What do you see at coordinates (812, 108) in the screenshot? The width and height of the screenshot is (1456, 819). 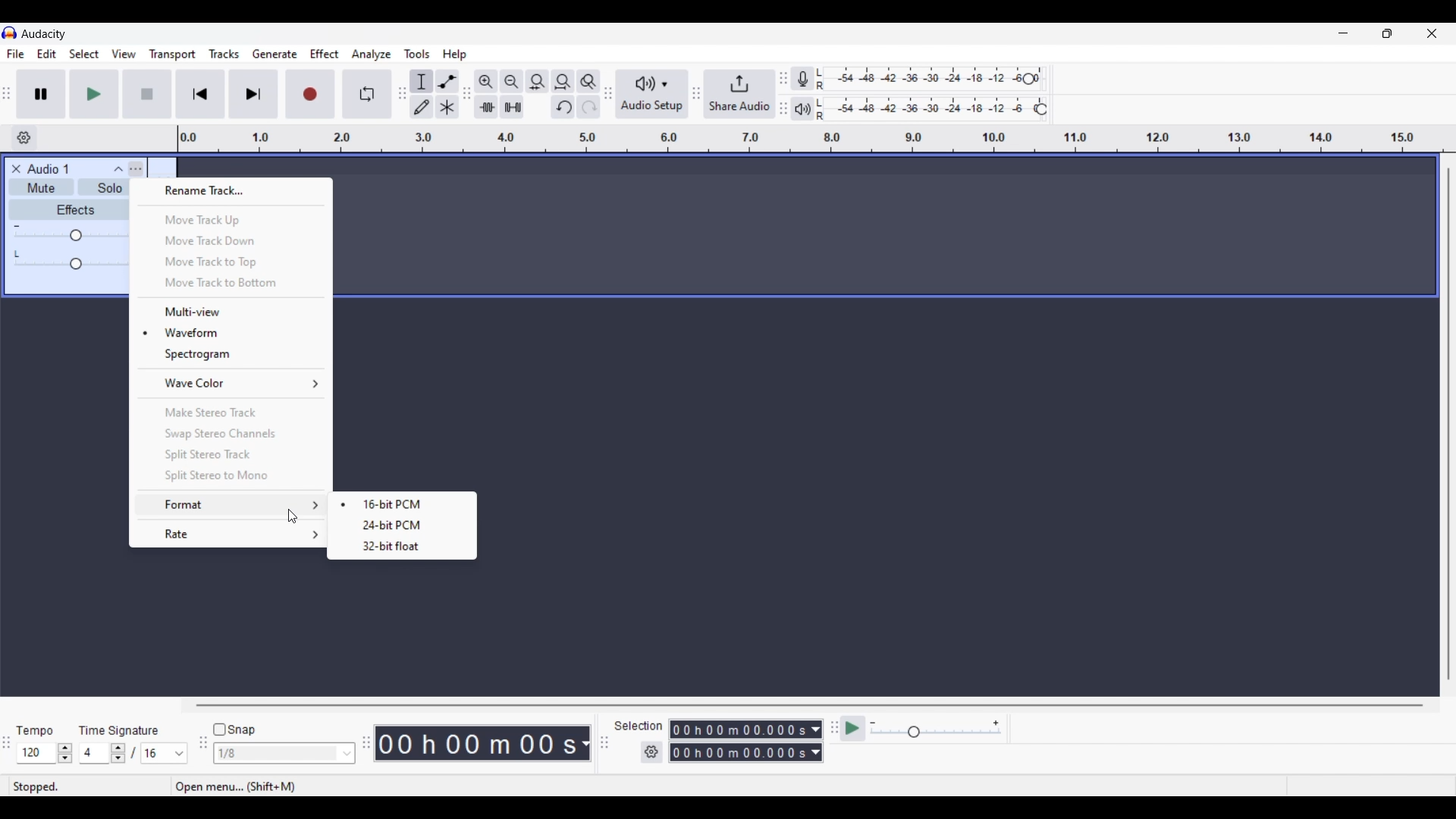 I see `Playback meter` at bounding box center [812, 108].